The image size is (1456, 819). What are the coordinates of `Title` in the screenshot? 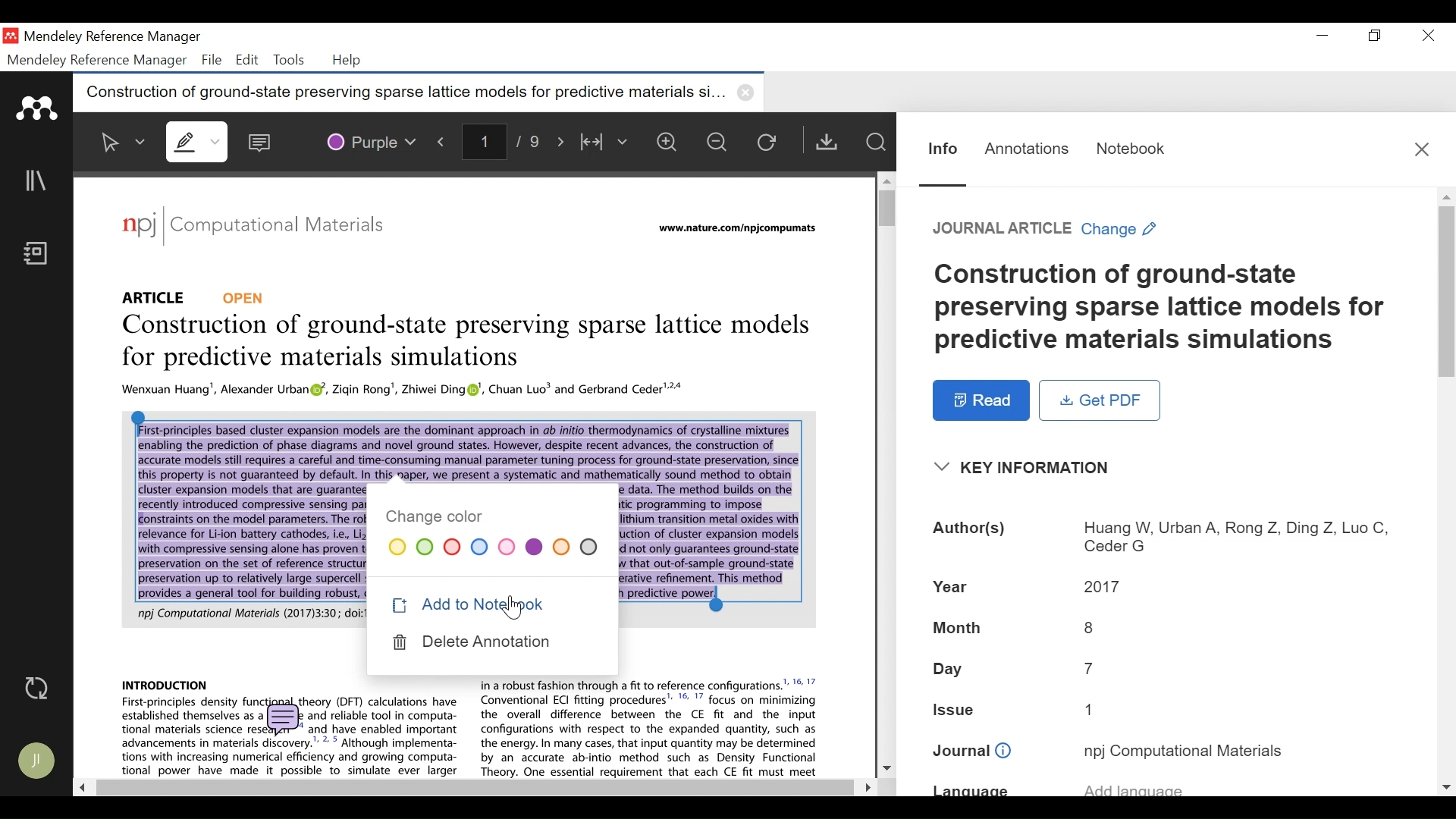 It's located at (470, 344).